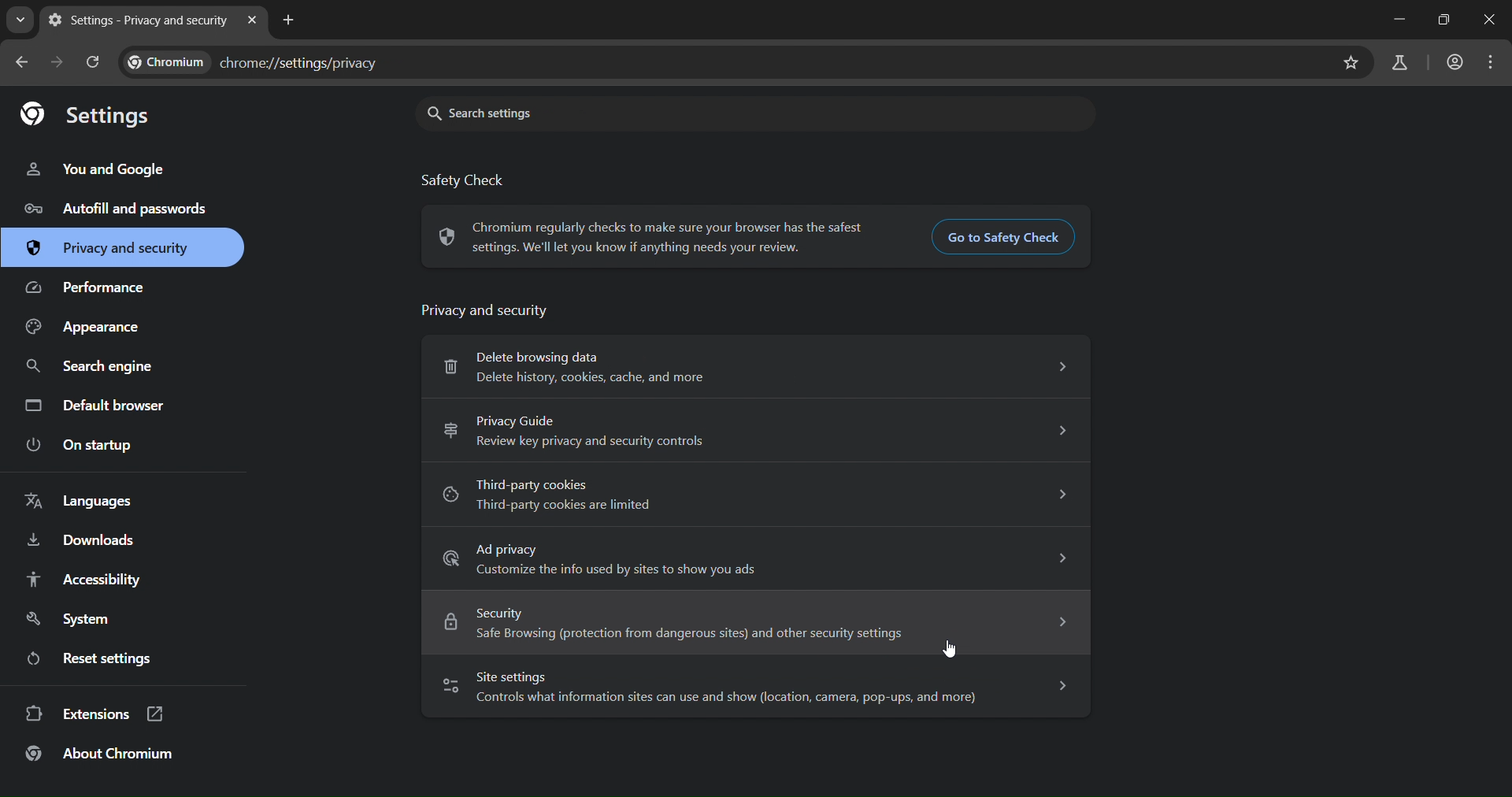 This screenshot has height=797, width=1512. Describe the element at coordinates (94, 288) in the screenshot. I see `performance` at that location.